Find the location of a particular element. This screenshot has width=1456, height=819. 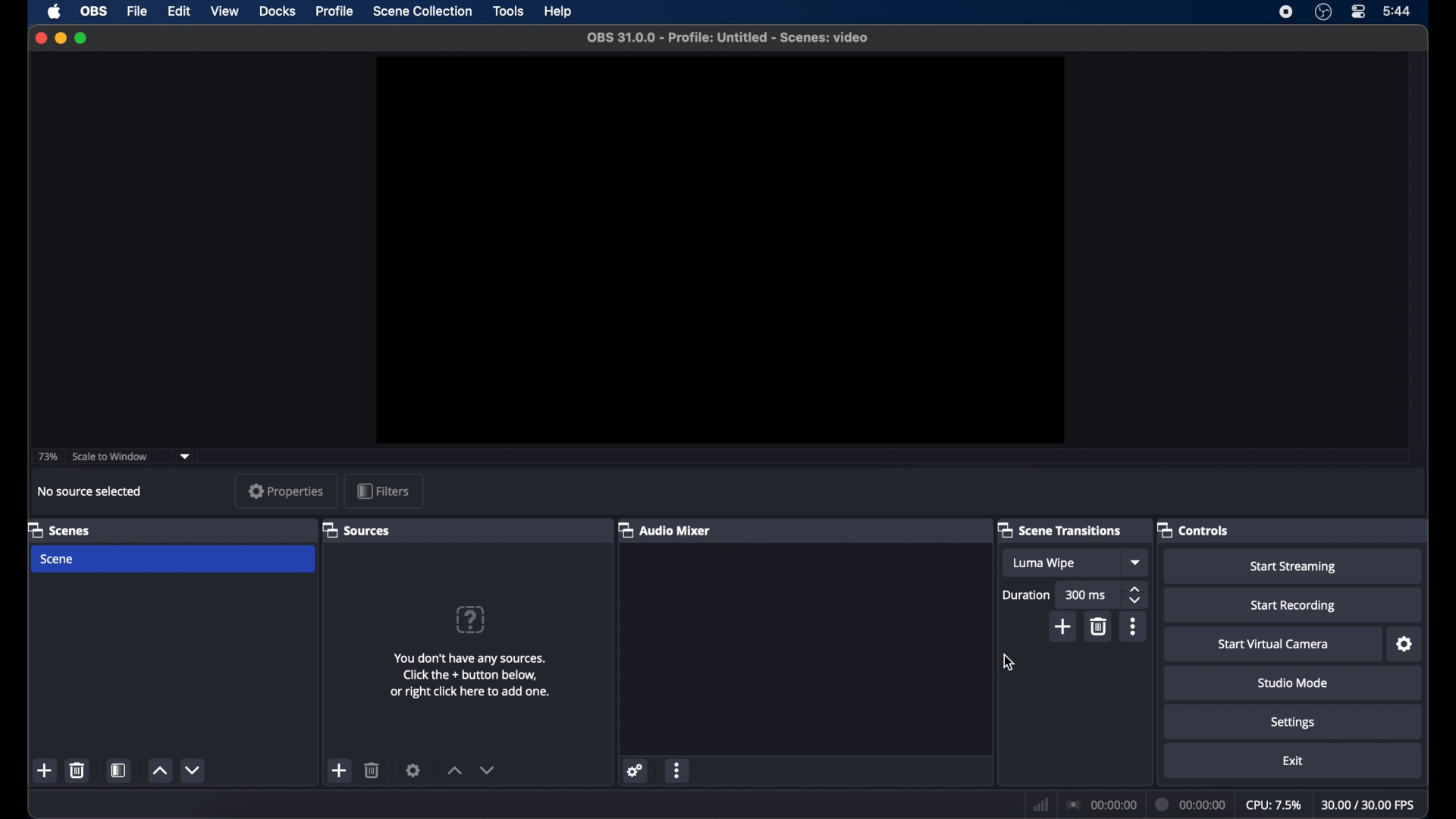

duration is located at coordinates (1191, 805).